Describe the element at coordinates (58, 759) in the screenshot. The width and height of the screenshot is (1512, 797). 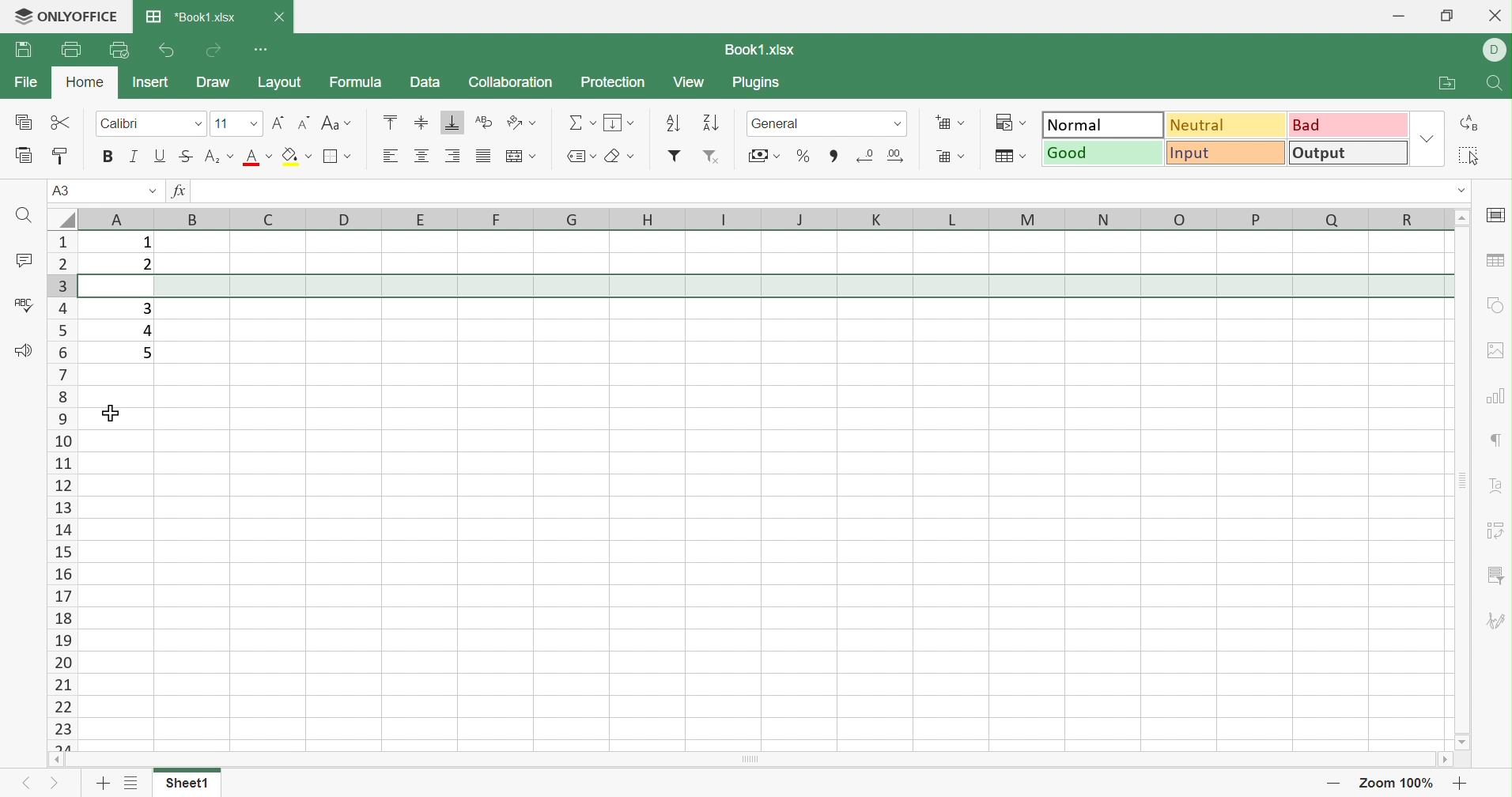
I see `Scroll Left` at that location.